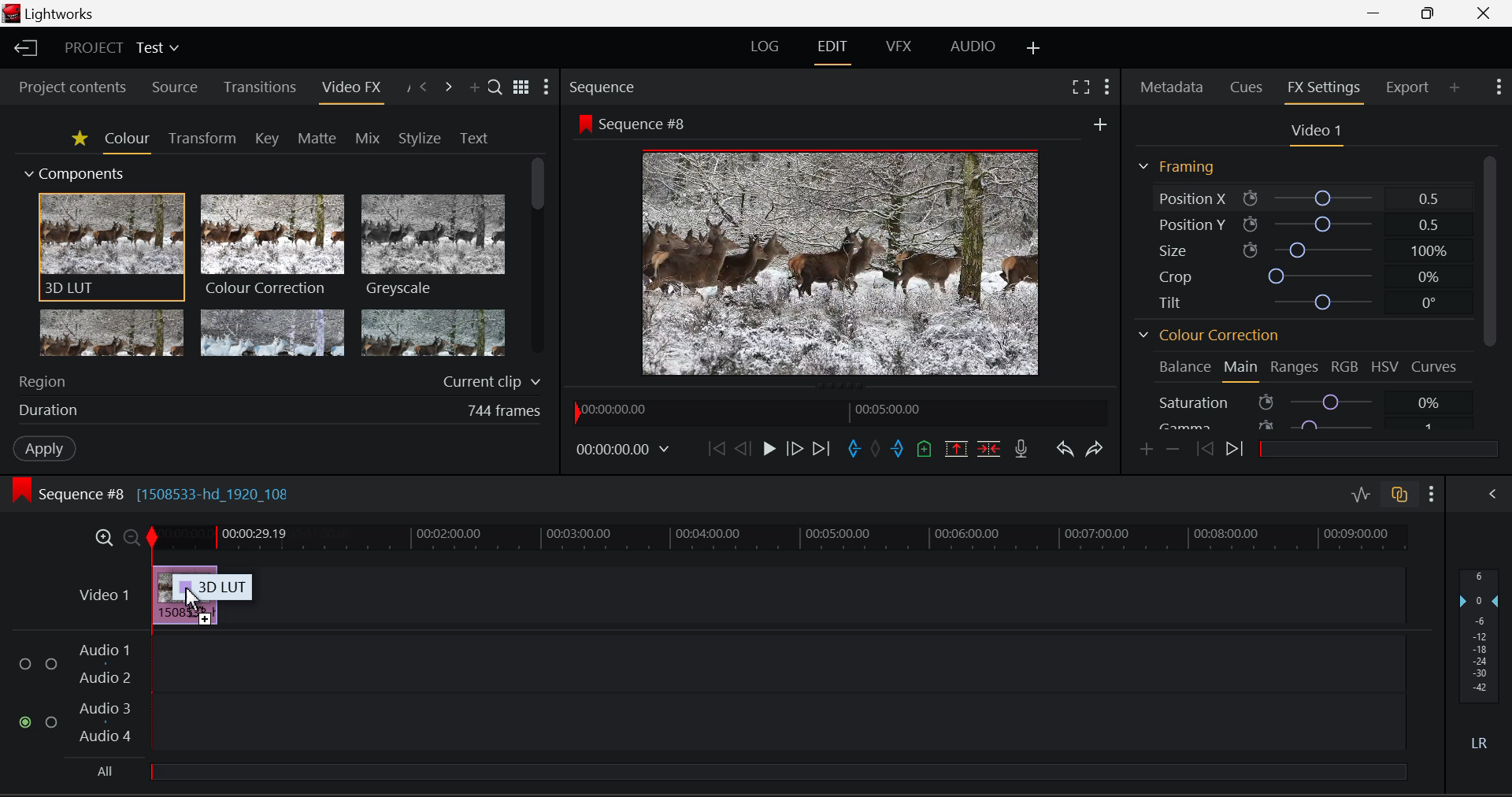 Image resolution: width=1512 pixels, height=797 pixels. Describe the element at coordinates (1182, 369) in the screenshot. I see `Balance` at that location.